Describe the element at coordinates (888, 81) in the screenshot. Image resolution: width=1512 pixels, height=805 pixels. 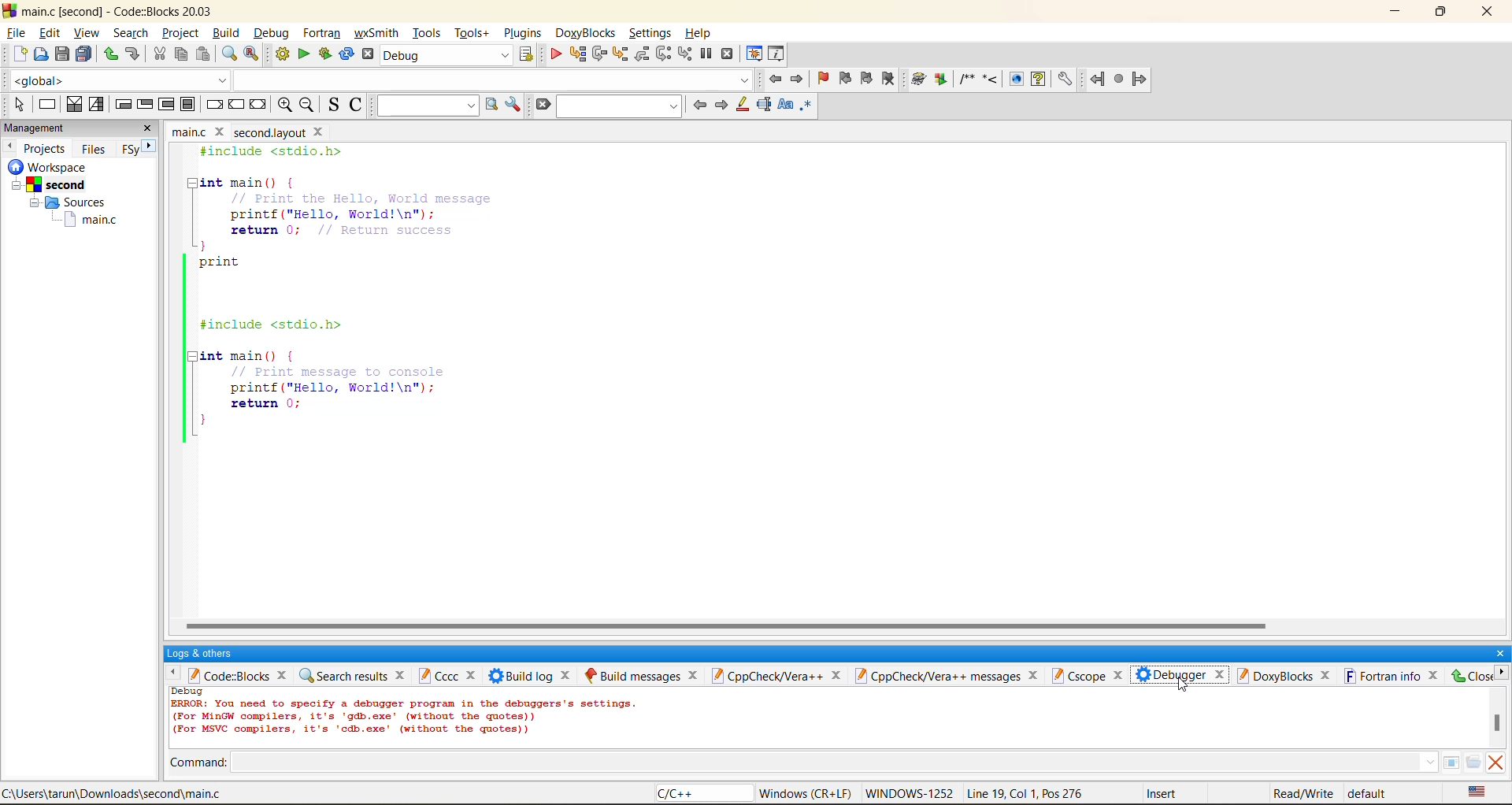
I see `clear bookmark` at that location.